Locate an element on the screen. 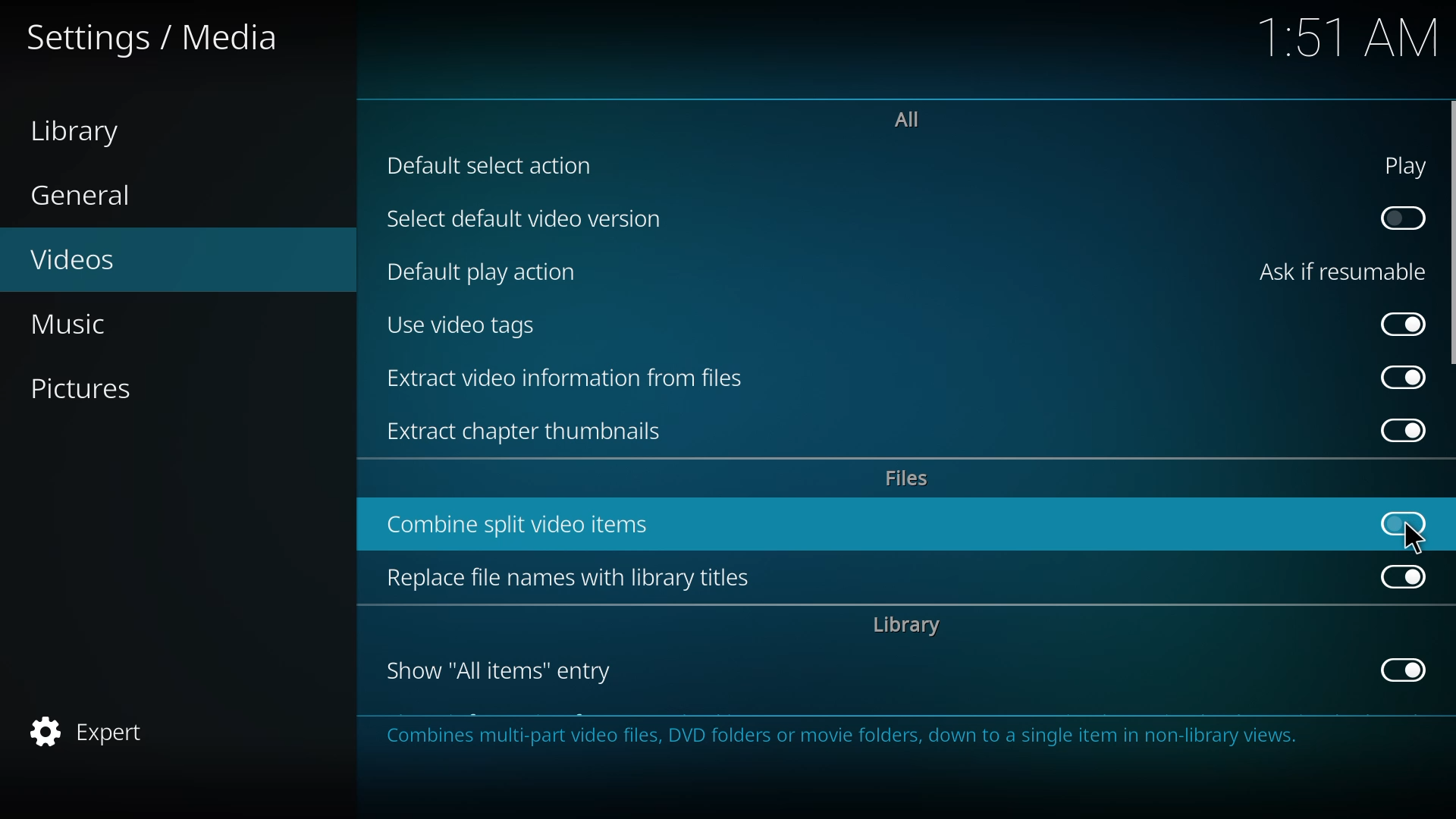  pictures is located at coordinates (91, 391).